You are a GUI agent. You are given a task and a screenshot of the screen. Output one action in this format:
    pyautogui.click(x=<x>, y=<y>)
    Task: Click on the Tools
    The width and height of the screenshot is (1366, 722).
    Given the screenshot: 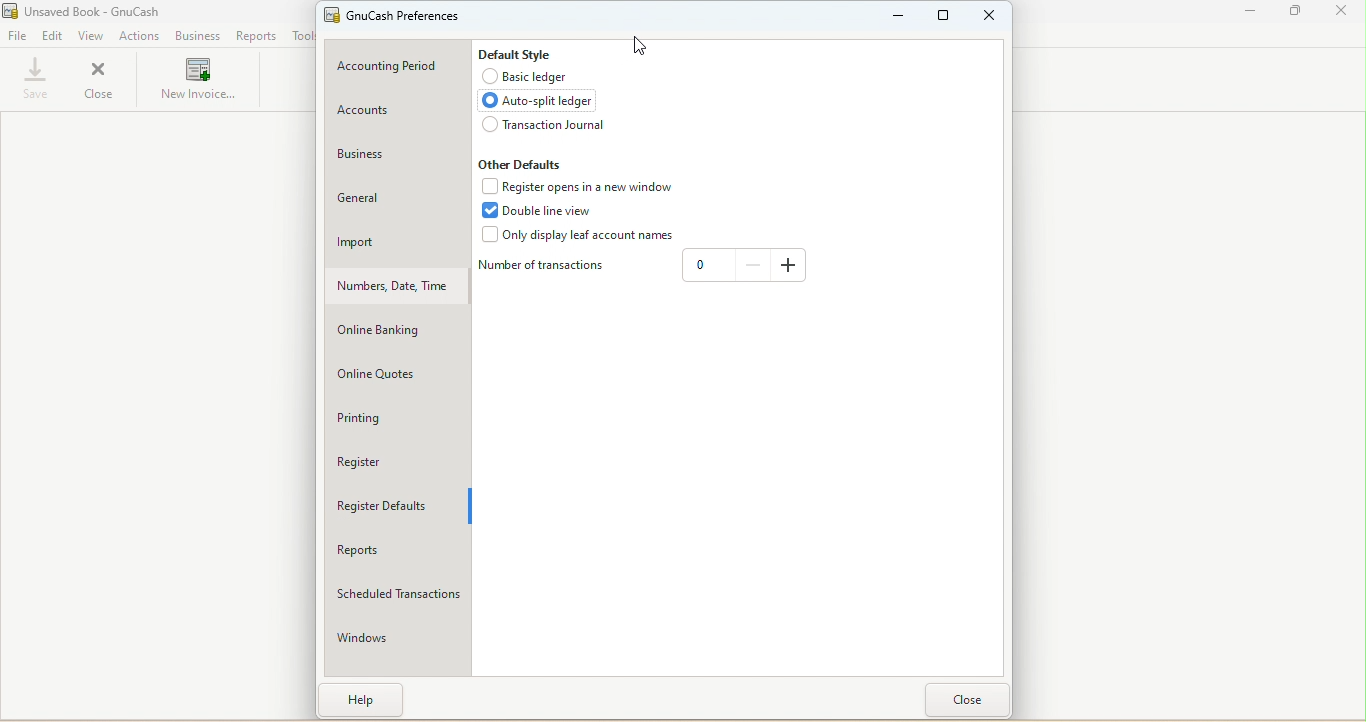 What is the action you would take?
    pyautogui.click(x=302, y=36)
    